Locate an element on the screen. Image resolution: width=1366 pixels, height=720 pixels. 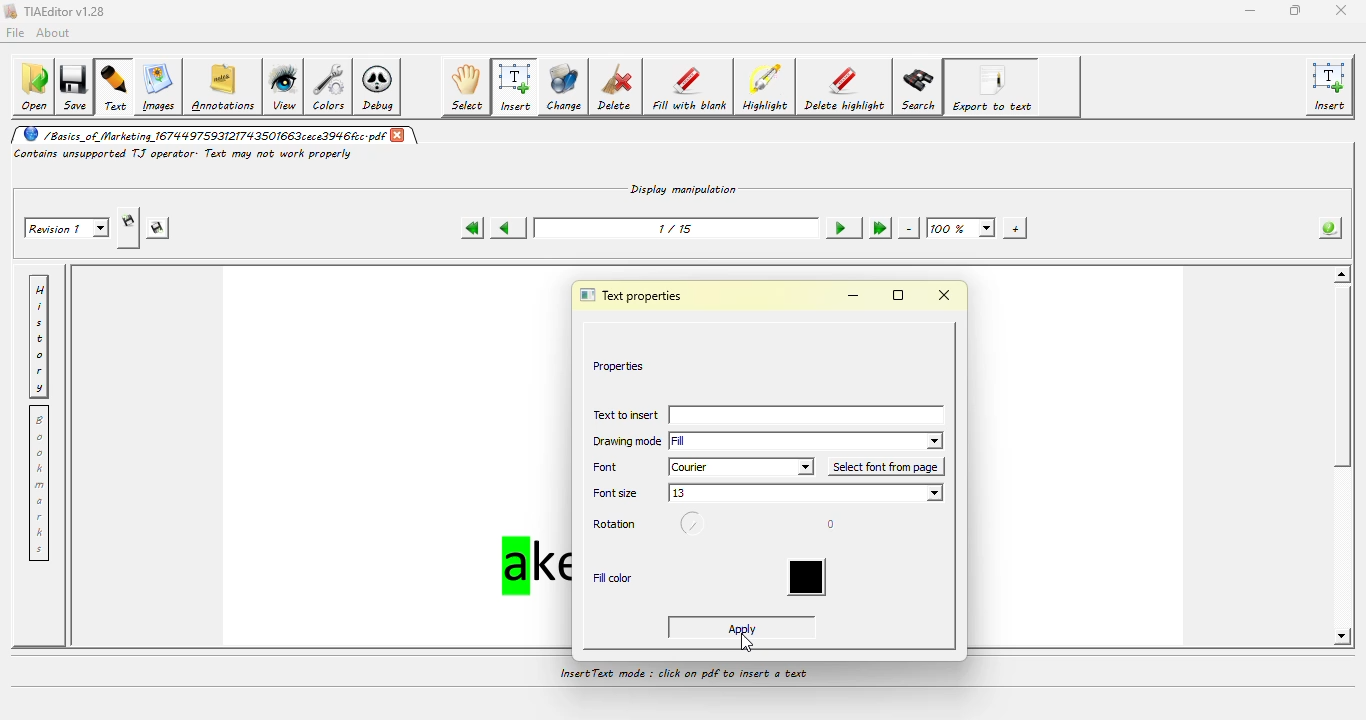
fill with blank is located at coordinates (690, 89).